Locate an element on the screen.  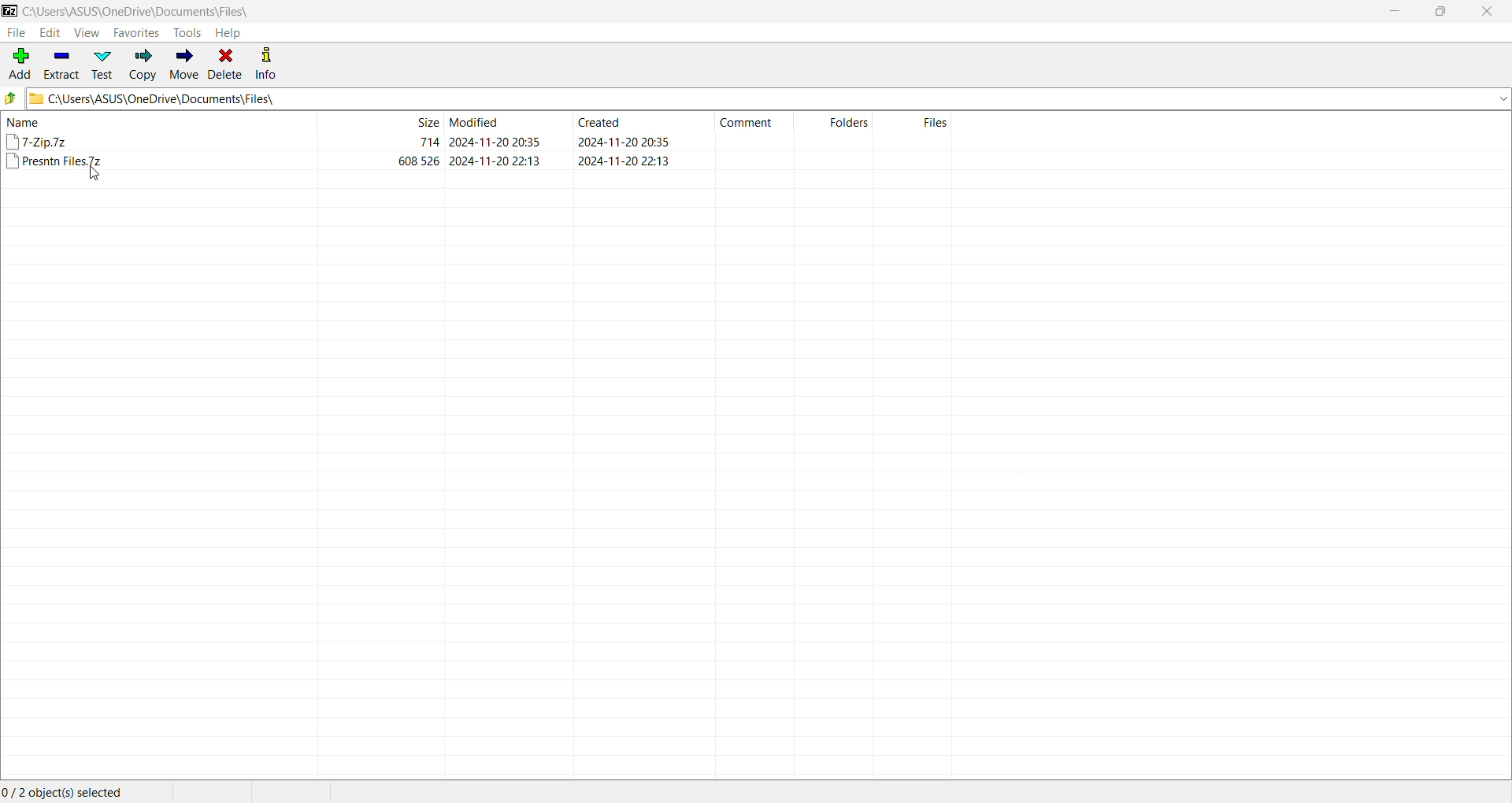
Minimize is located at coordinates (1399, 12).